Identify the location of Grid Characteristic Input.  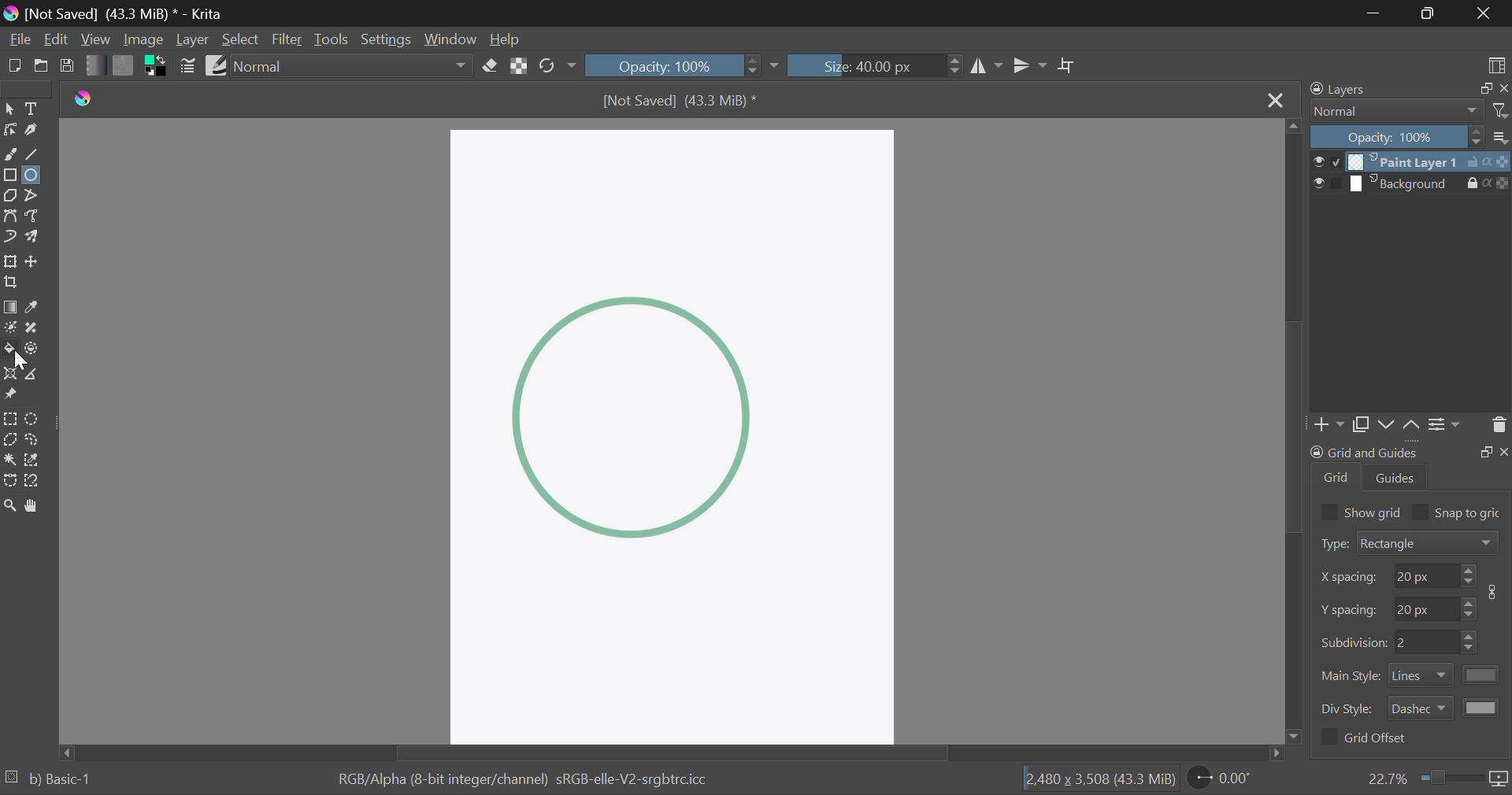
(1413, 643).